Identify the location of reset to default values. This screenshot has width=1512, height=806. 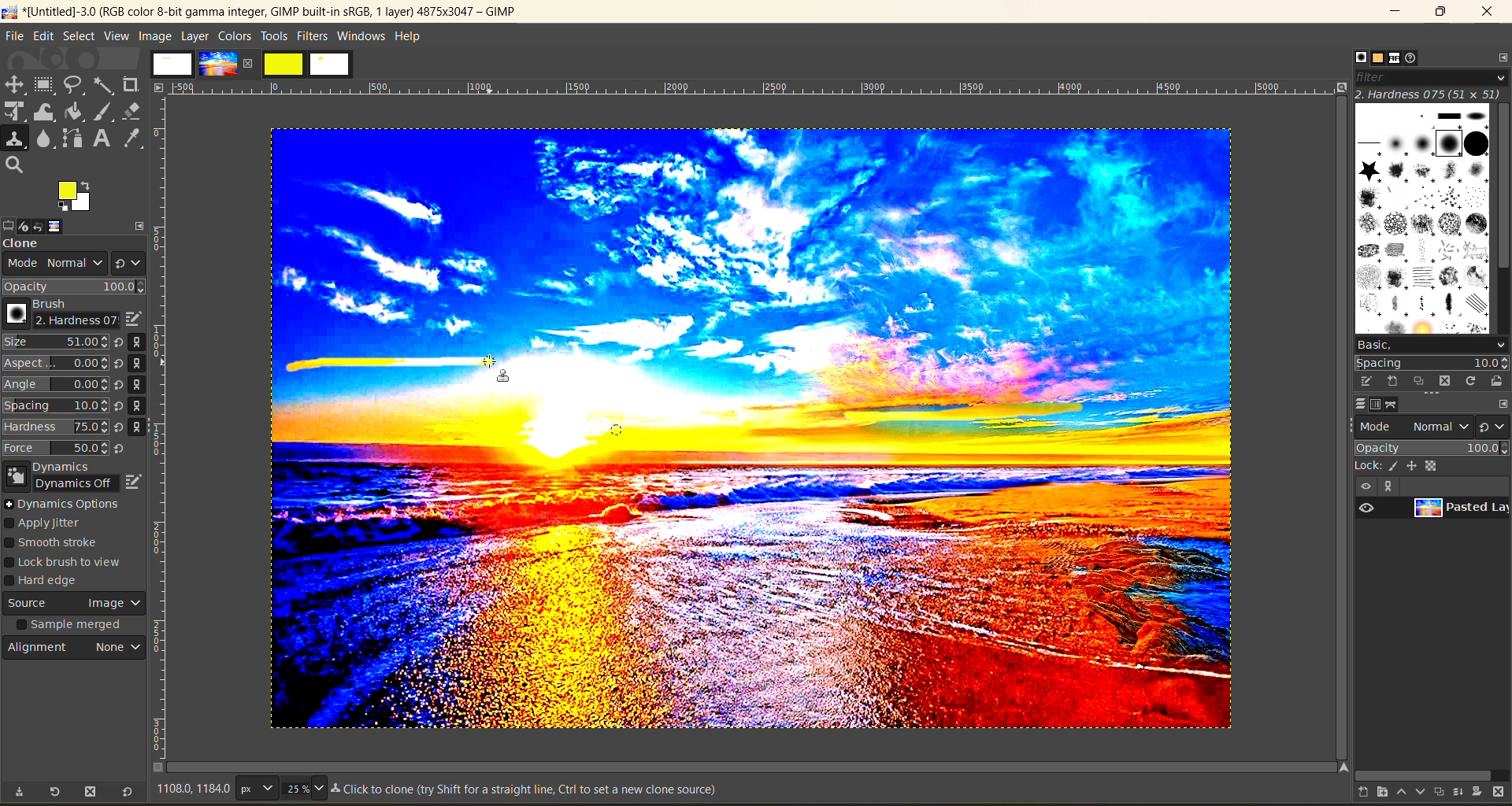
(126, 793).